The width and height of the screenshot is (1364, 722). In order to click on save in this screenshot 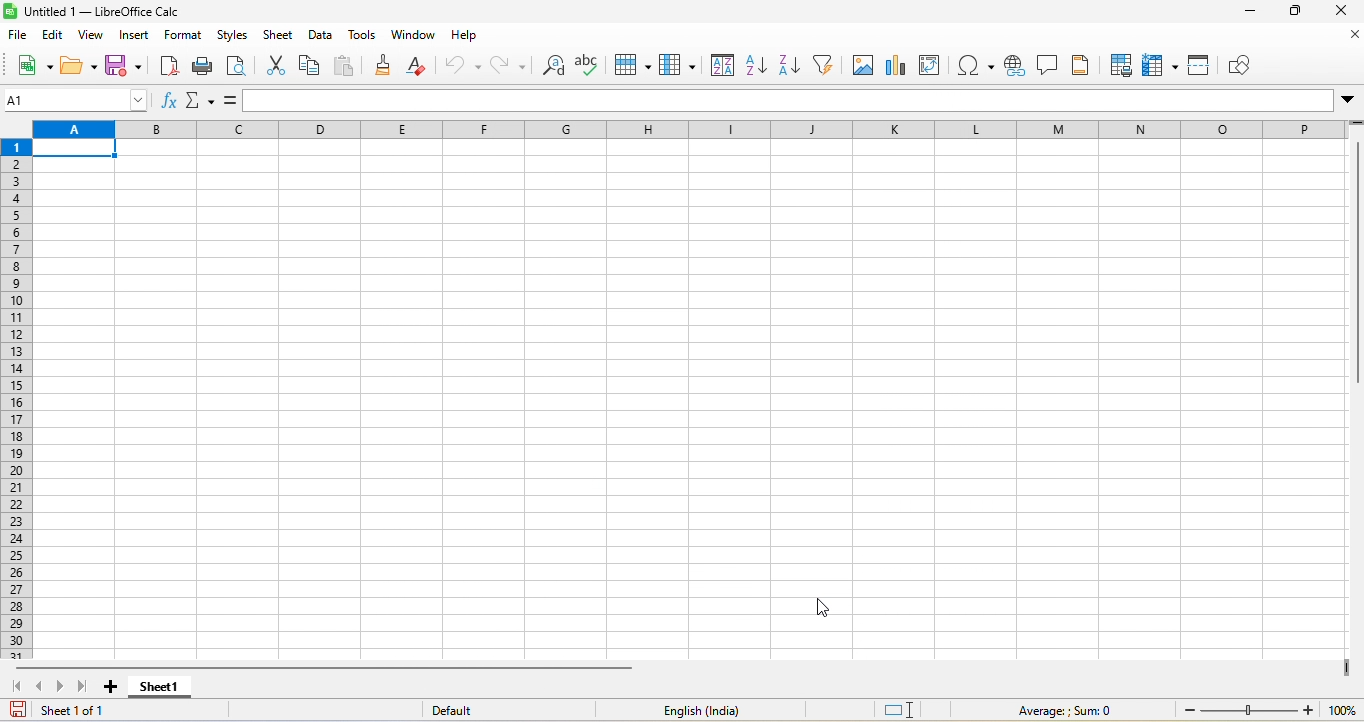, I will do `click(123, 67)`.